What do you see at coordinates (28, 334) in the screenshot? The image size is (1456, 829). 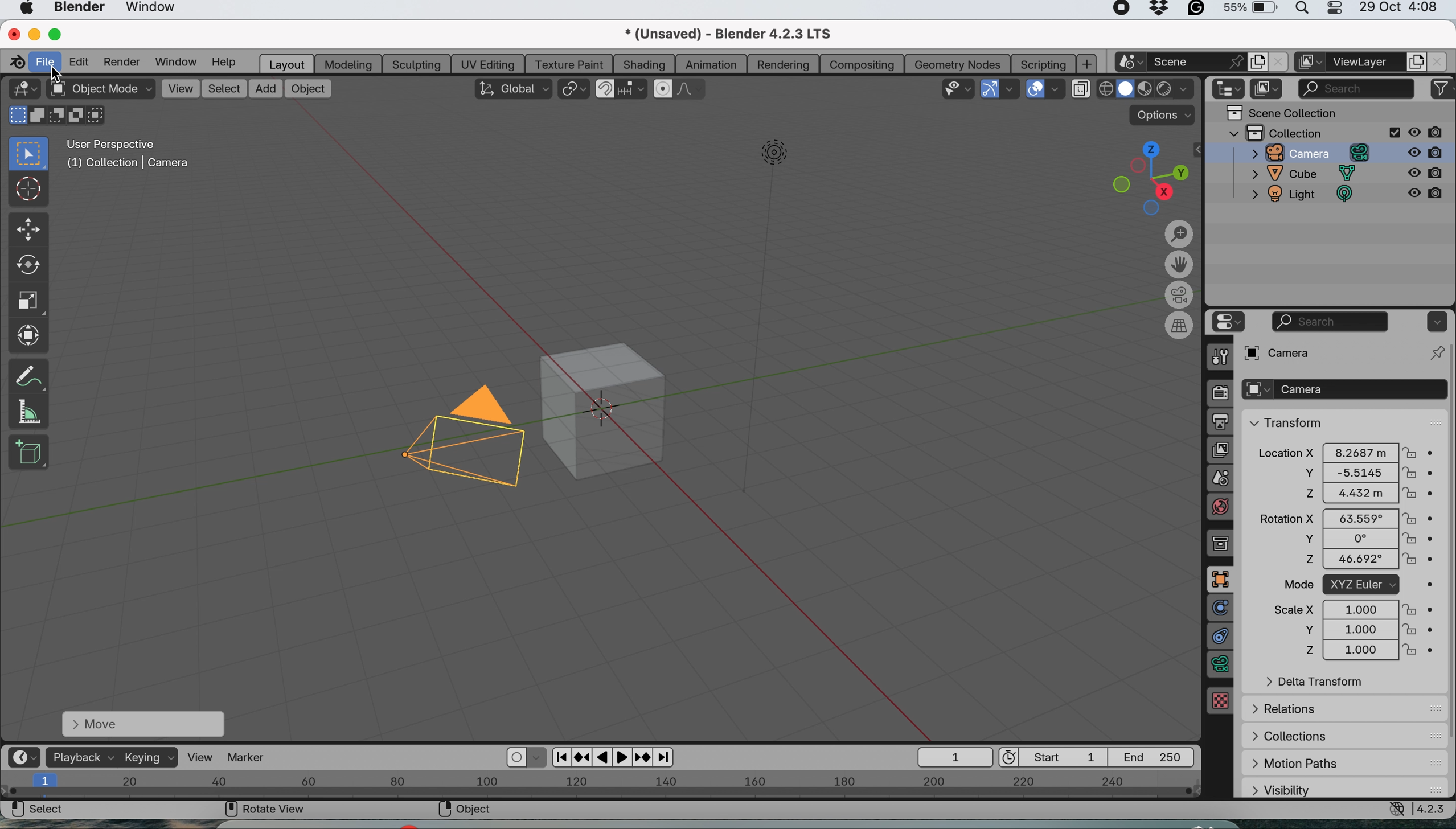 I see `transform` at bounding box center [28, 334].